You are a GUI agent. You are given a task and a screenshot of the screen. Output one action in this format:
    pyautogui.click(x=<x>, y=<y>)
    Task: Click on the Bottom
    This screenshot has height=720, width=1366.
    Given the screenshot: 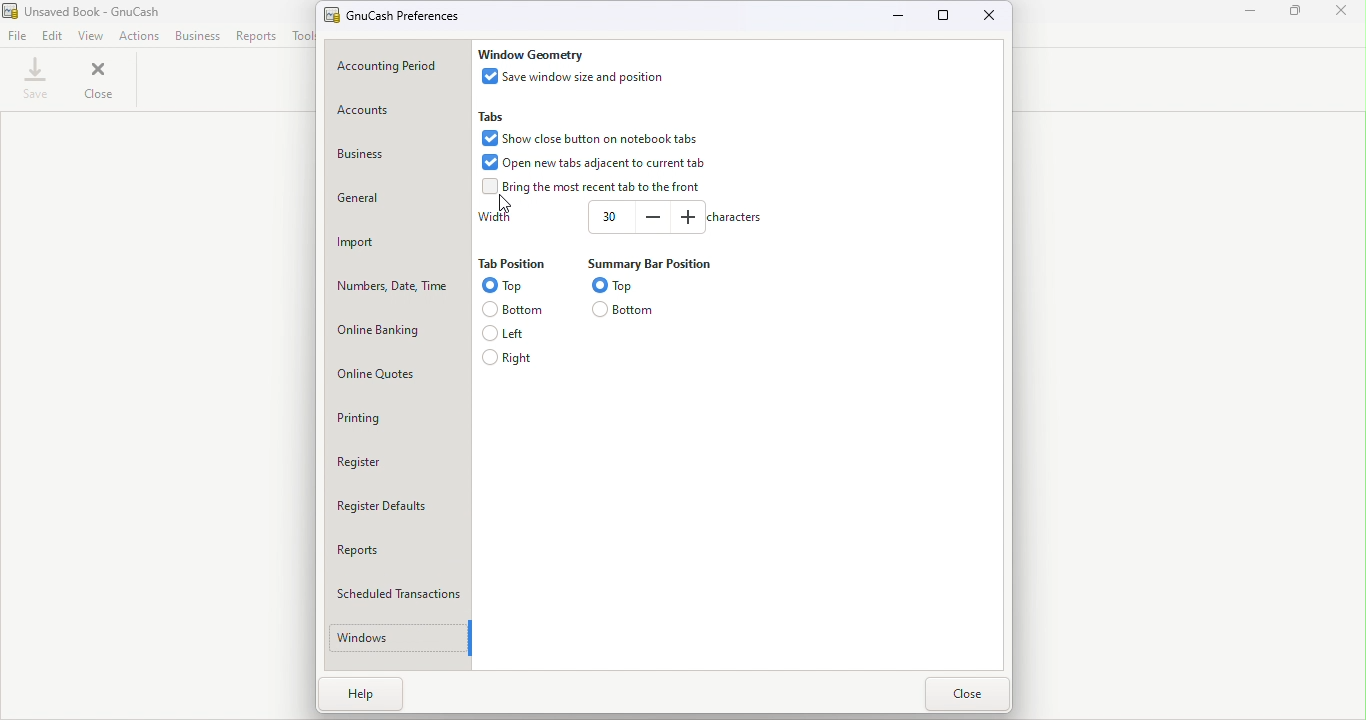 What is the action you would take?
    pyautogui.click(x=509, y=308)
    